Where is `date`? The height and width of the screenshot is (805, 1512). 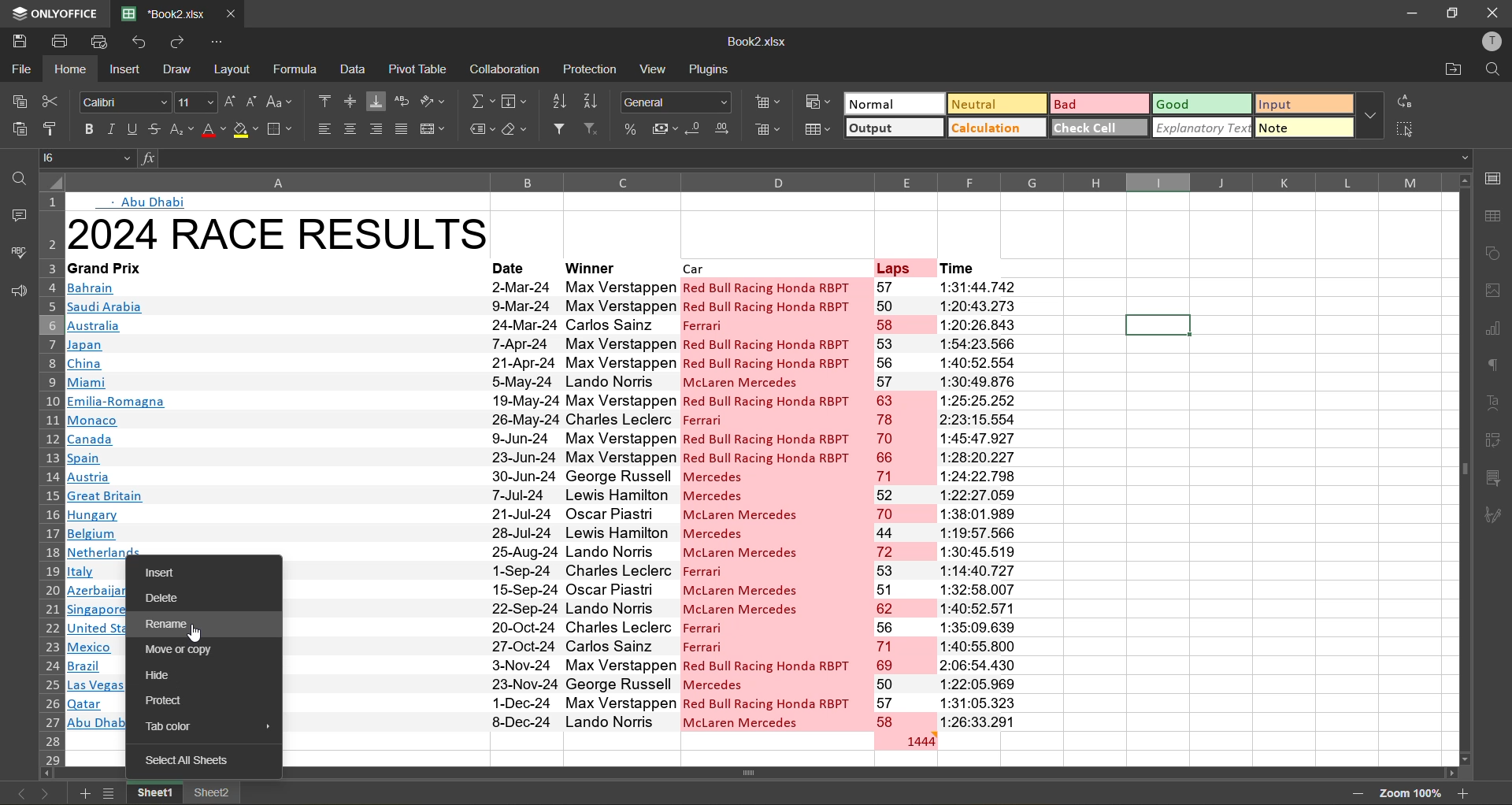 date is located at coordinates (520, 265).